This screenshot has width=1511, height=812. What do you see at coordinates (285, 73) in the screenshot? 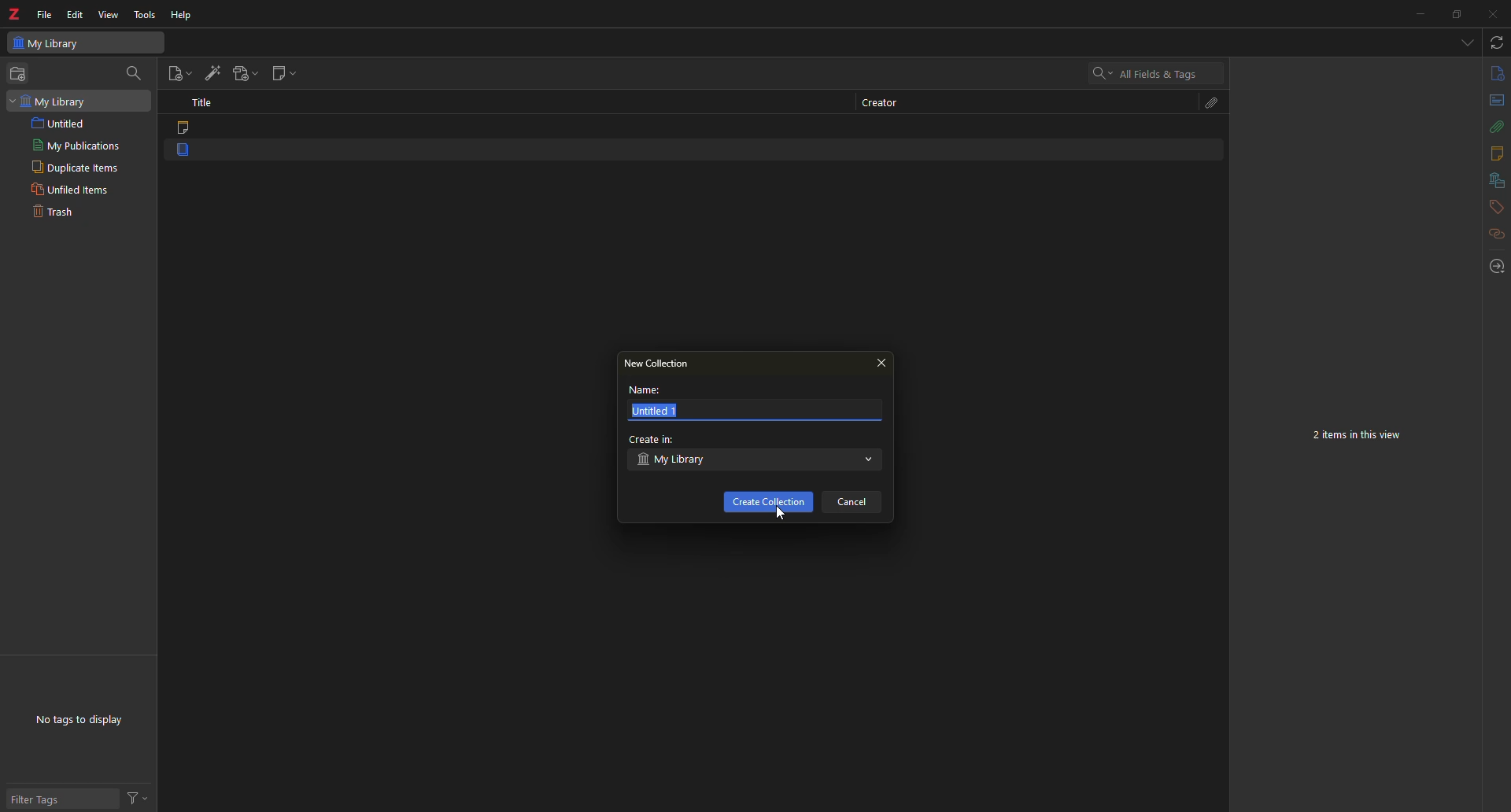
I see `new note` at bounding box center [285, 73].